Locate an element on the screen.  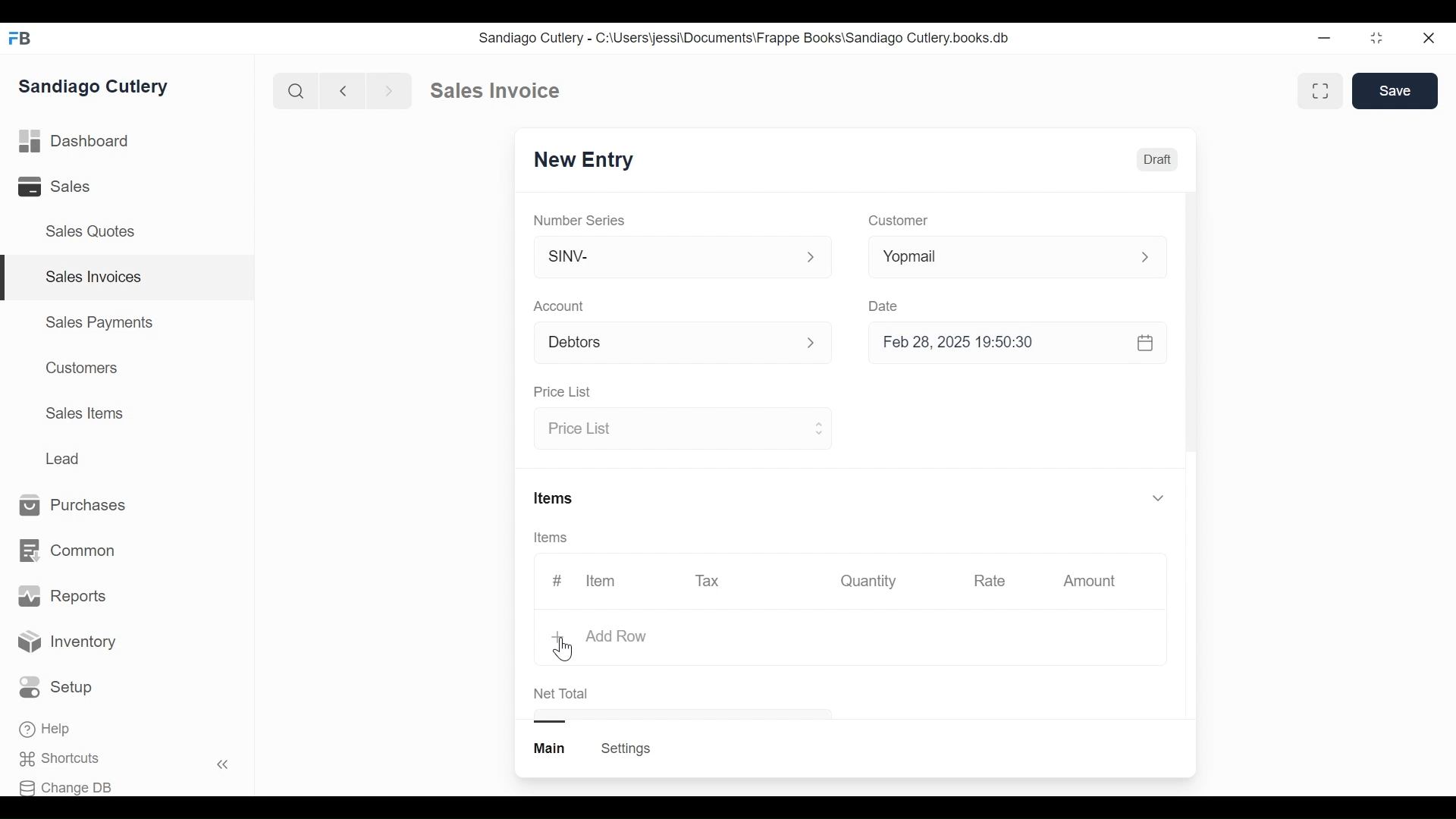
Price List is located at coordinates (566, 392).